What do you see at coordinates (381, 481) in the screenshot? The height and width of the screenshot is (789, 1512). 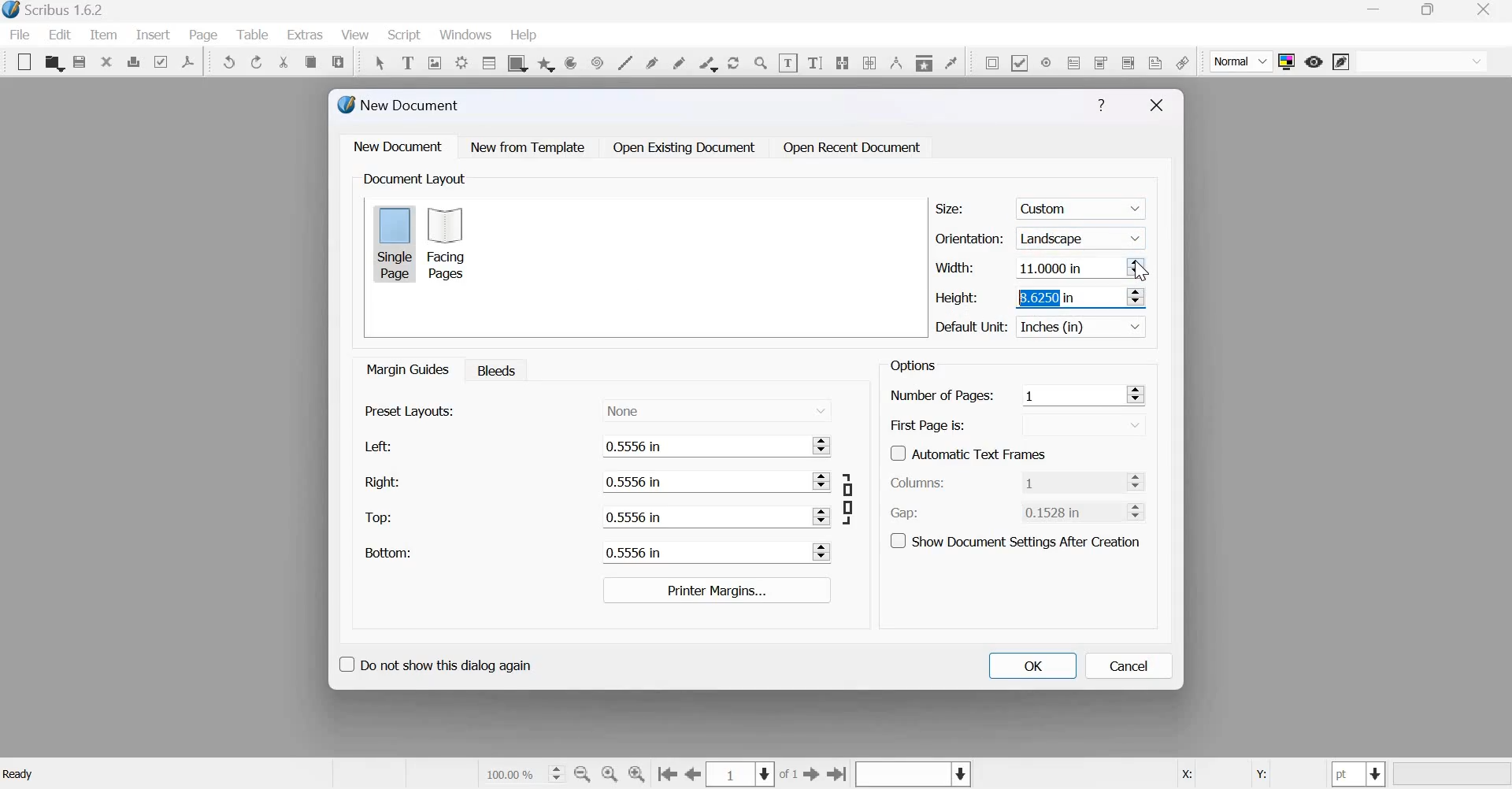 I see `Right:` at bounding box center [381, 481].